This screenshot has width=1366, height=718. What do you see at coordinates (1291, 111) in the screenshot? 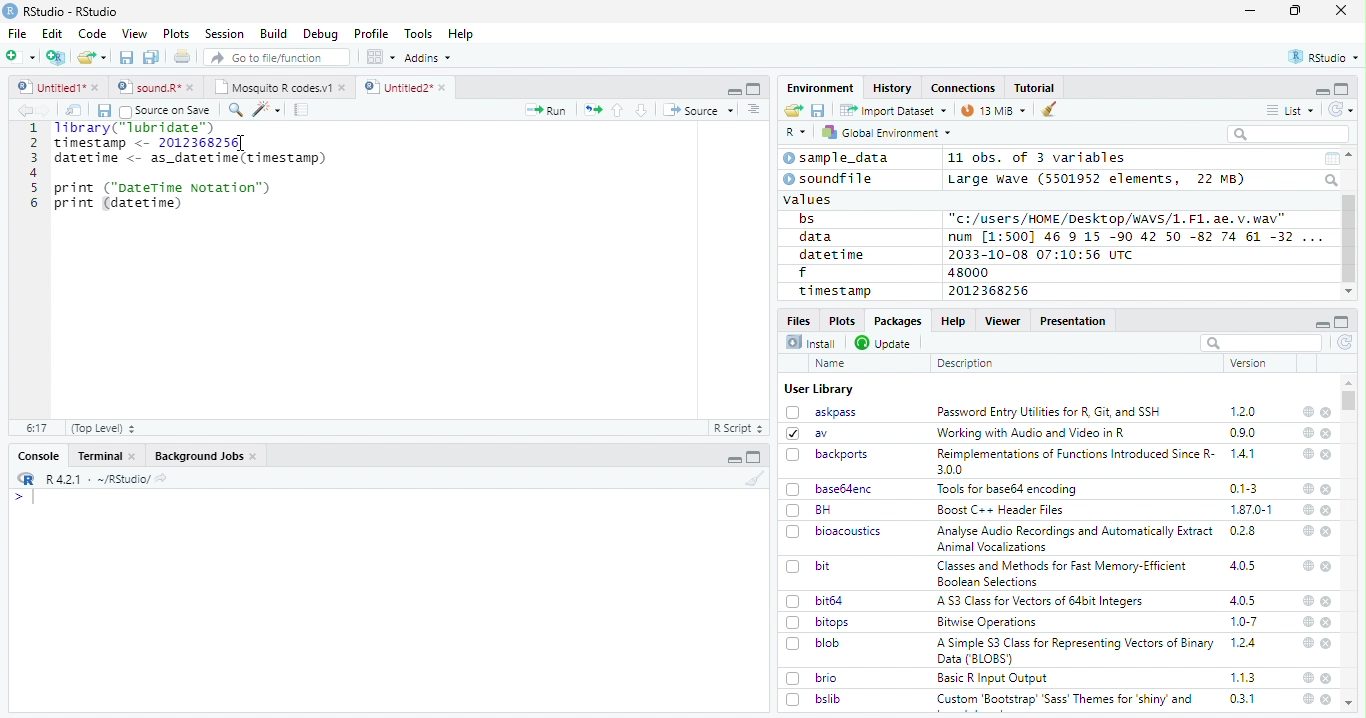
I see `List` at bounding box center [1291, 111].